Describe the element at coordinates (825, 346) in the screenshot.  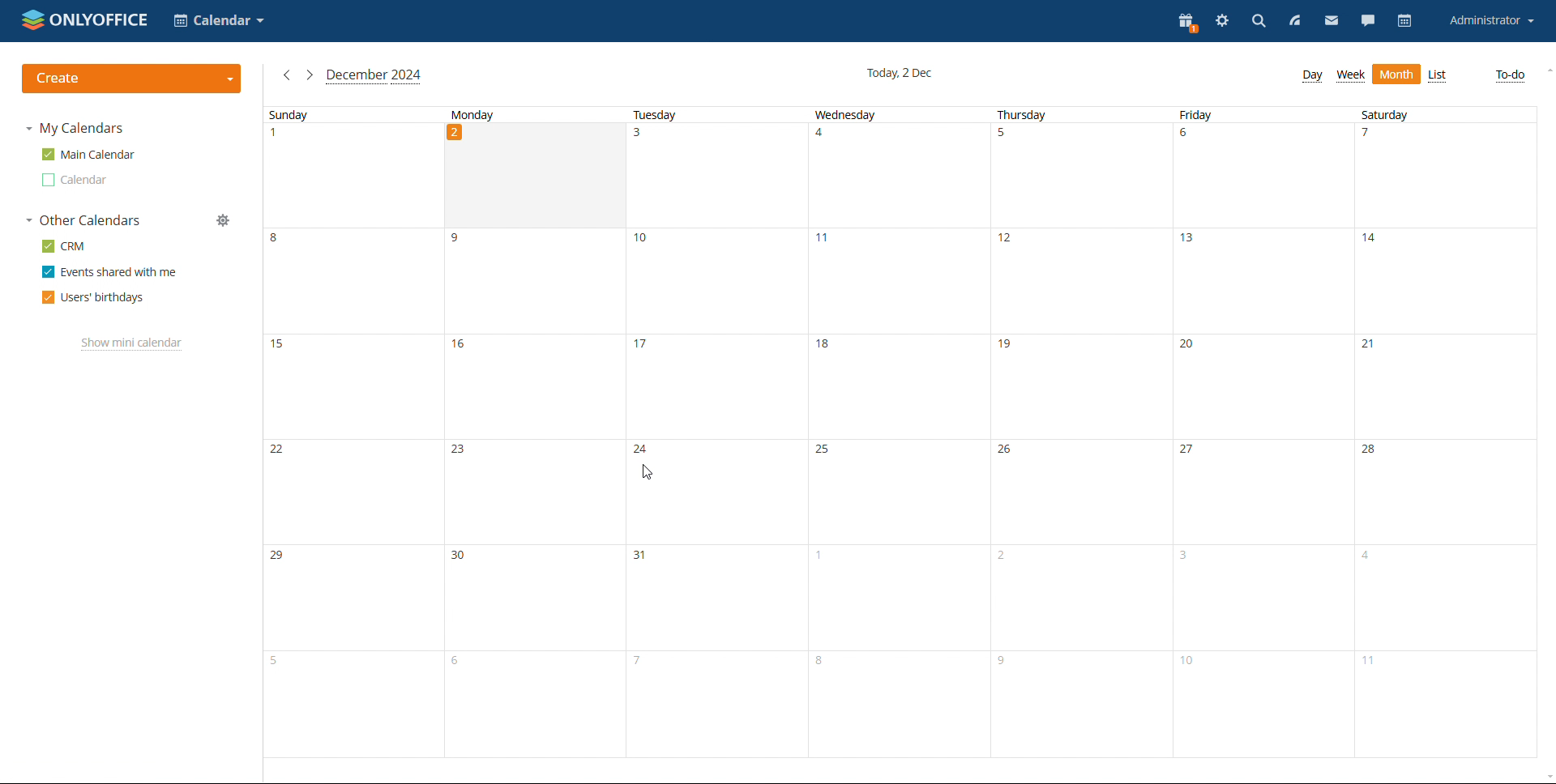
I see `18` at that location.